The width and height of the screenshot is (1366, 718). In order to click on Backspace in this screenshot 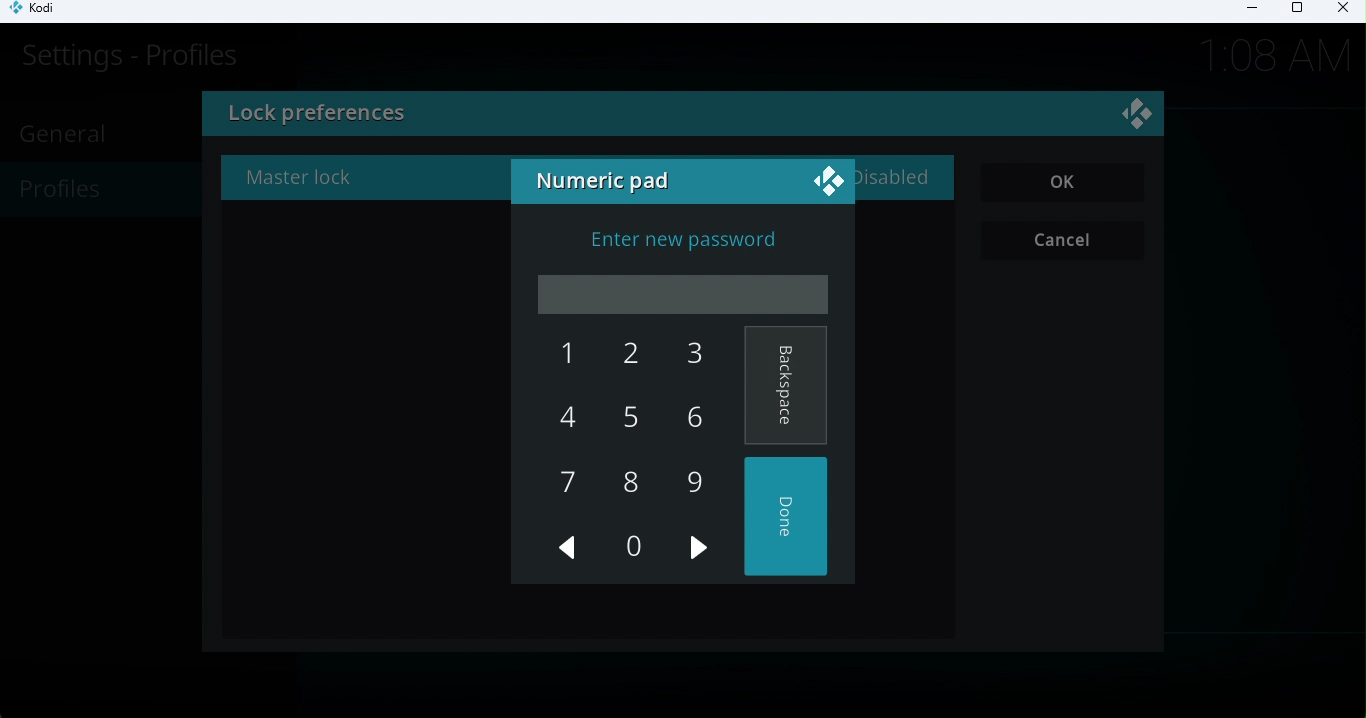, I will do `click(786, 386)`.